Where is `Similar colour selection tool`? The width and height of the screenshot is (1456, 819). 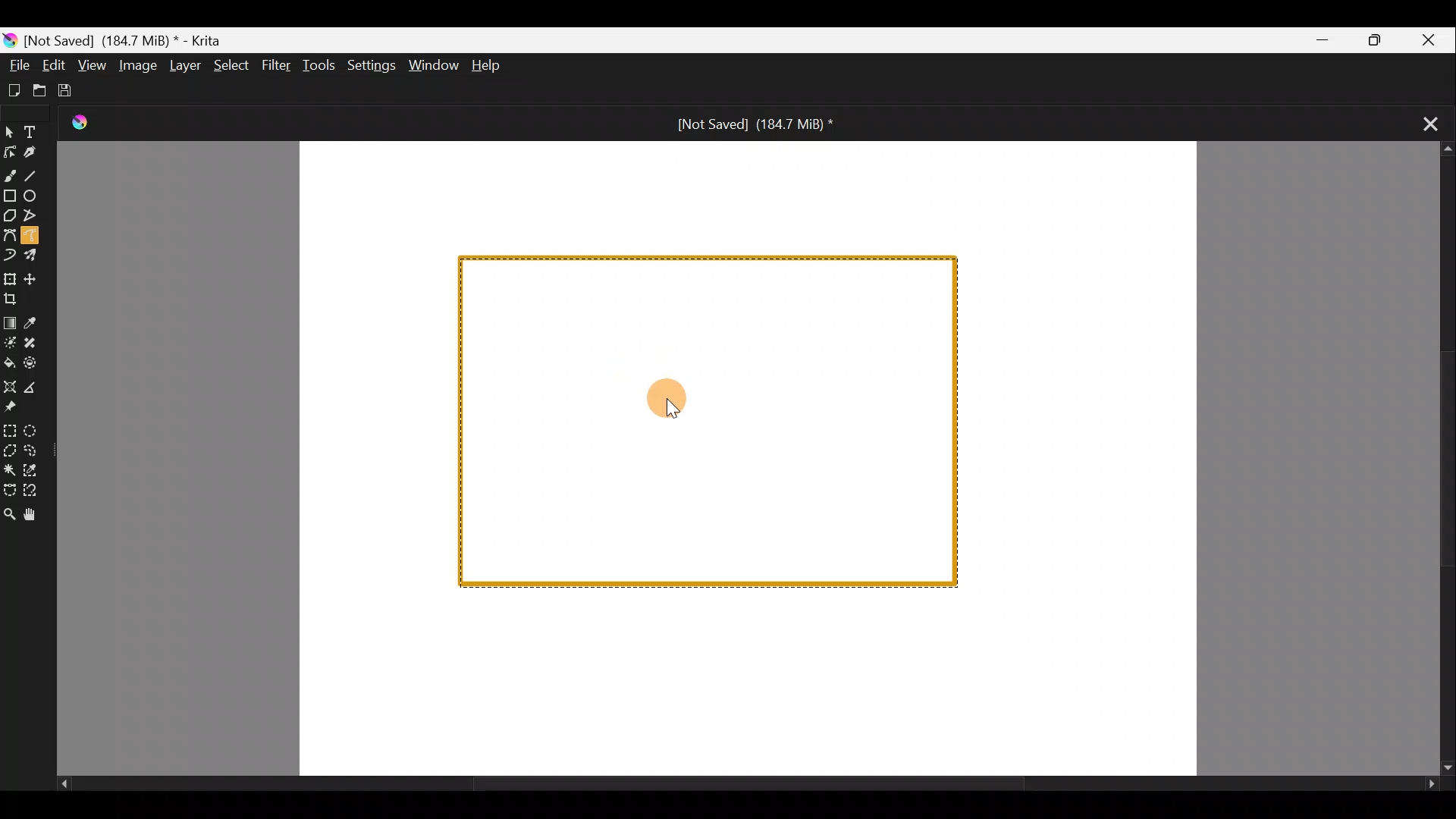
Similar colour selection tool is located at coordinates (40, 470).